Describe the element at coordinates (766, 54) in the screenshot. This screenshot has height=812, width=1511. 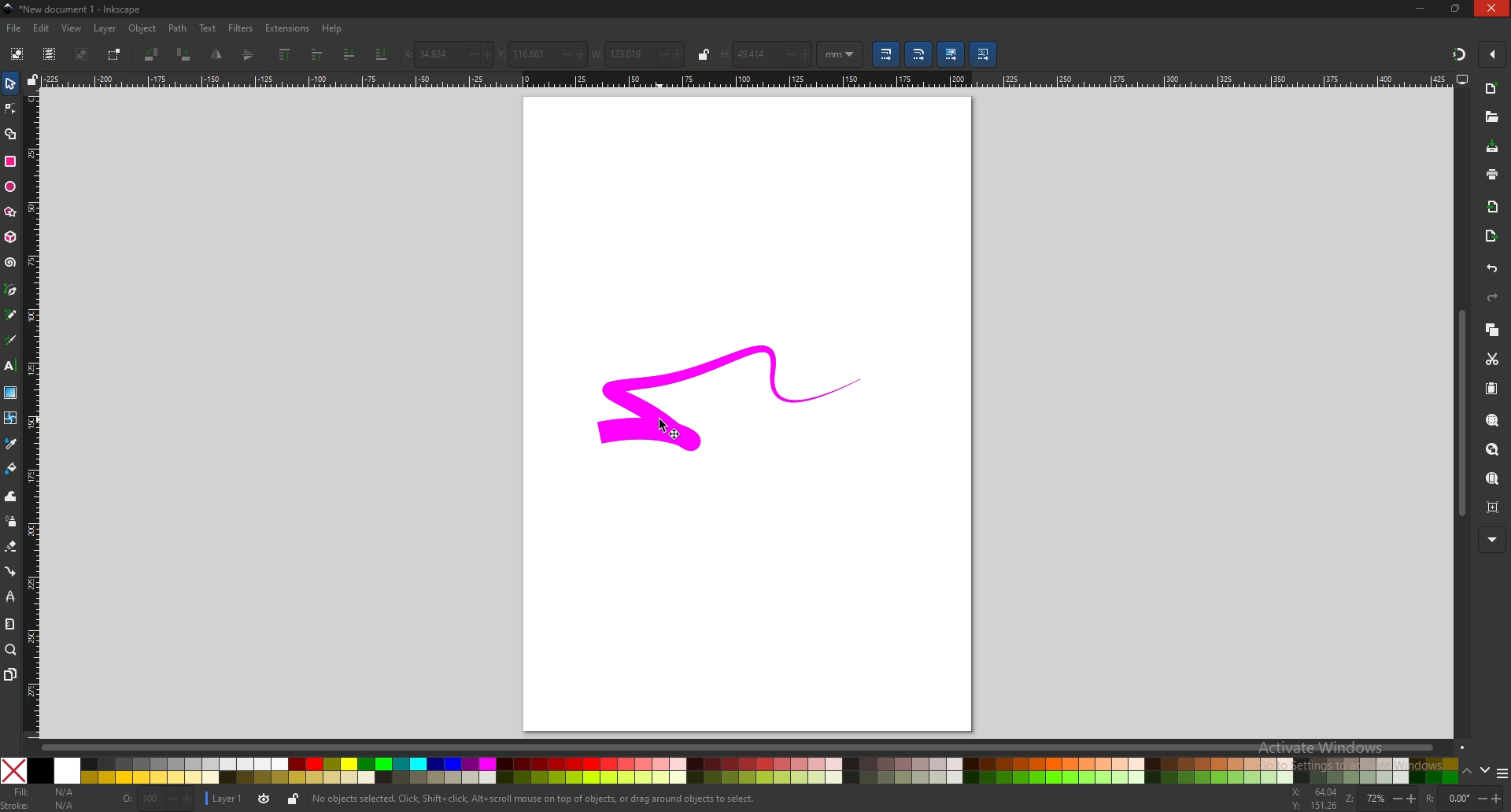
I see `height` at that location.